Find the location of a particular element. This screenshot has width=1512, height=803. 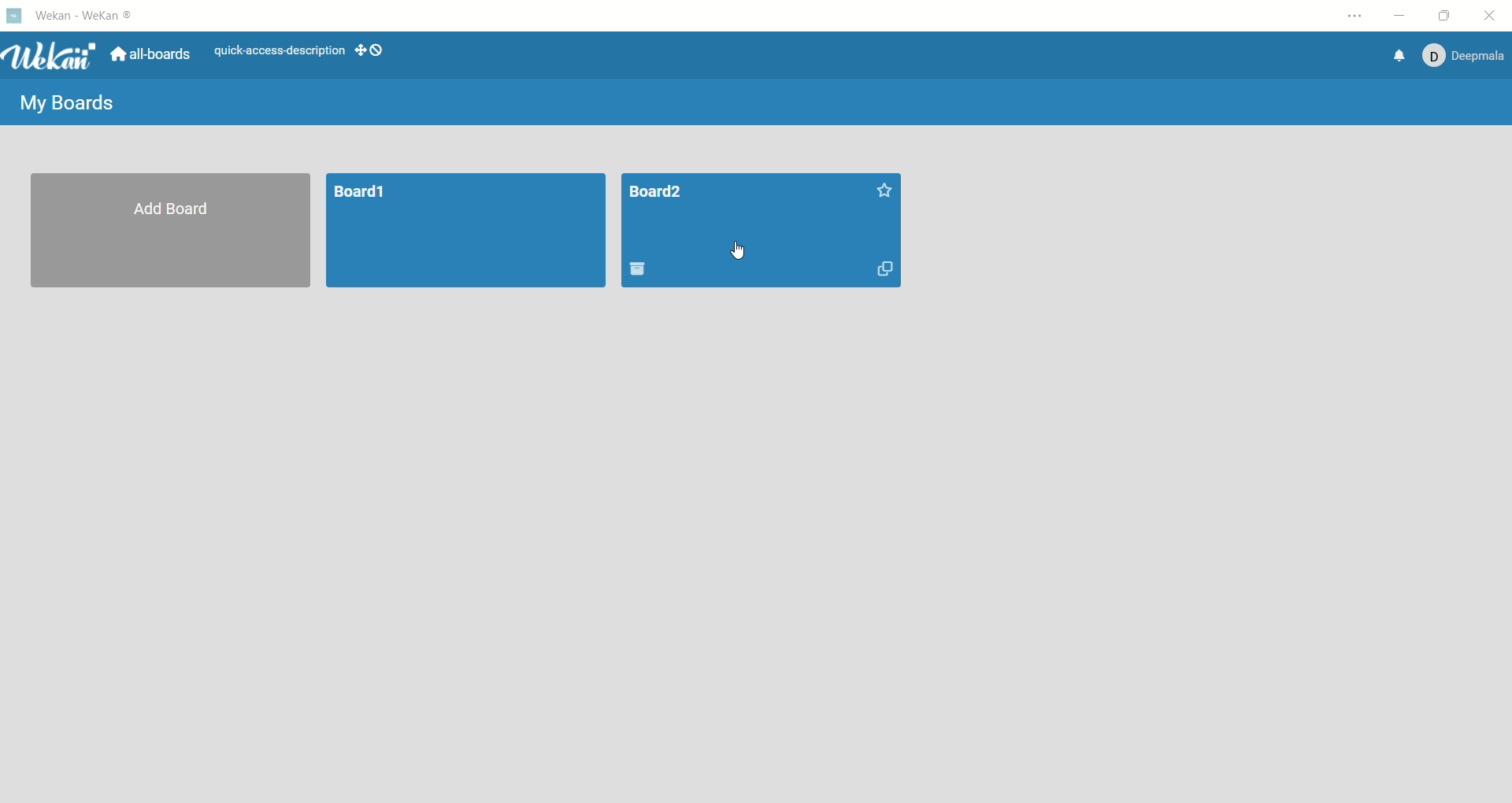

my boards is located at coordinates (72, 103).